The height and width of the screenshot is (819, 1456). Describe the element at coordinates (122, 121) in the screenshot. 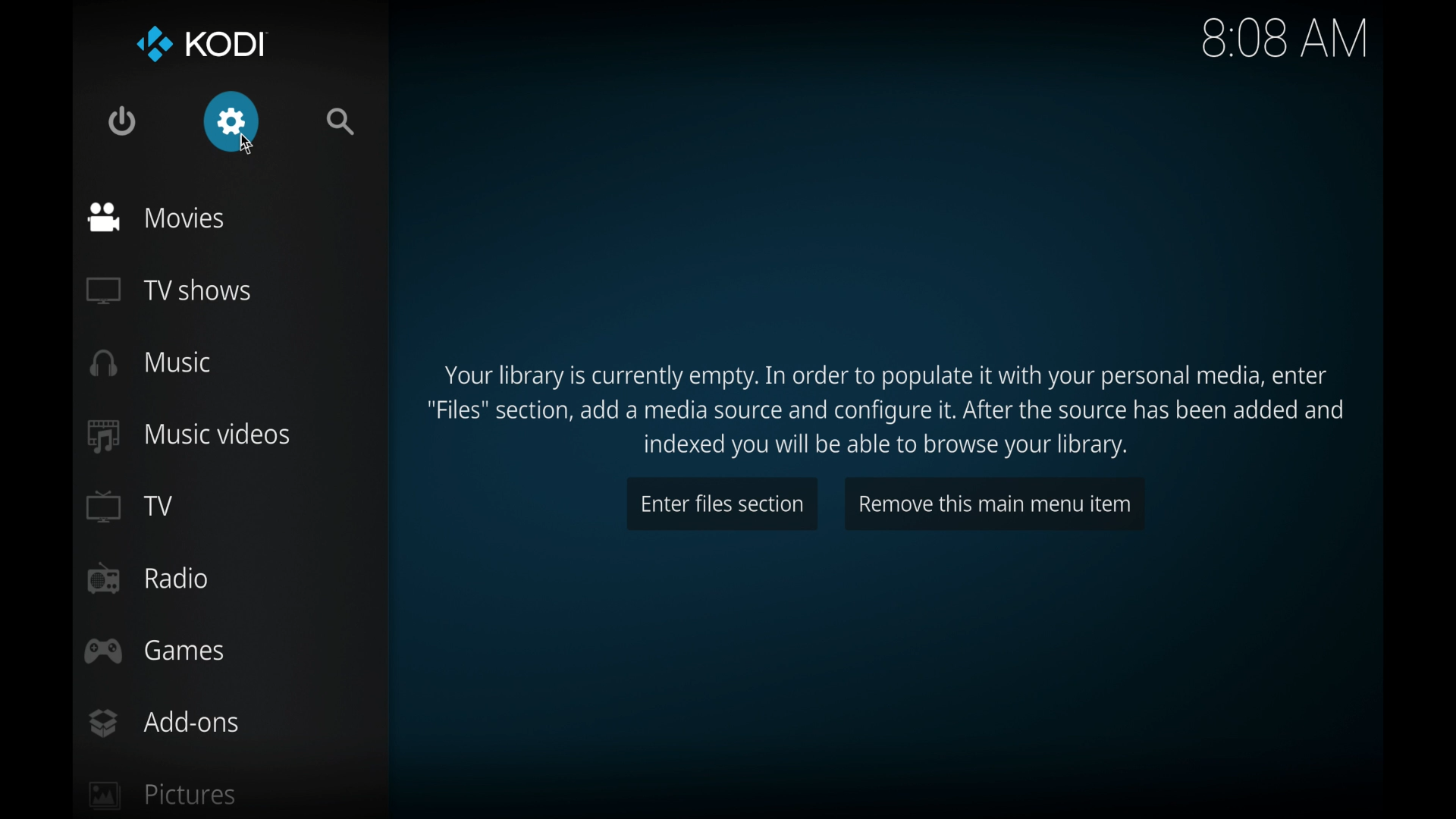

I see `quit kodi` at that location.